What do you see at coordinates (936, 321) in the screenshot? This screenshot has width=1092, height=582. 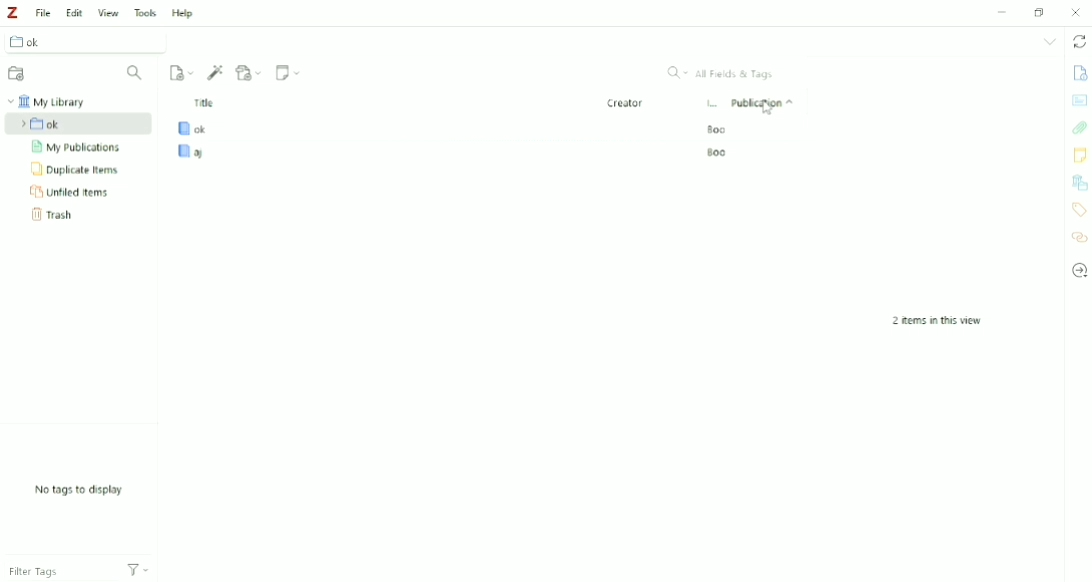 I see `2 items in this view` at bounding box center [936, 321].